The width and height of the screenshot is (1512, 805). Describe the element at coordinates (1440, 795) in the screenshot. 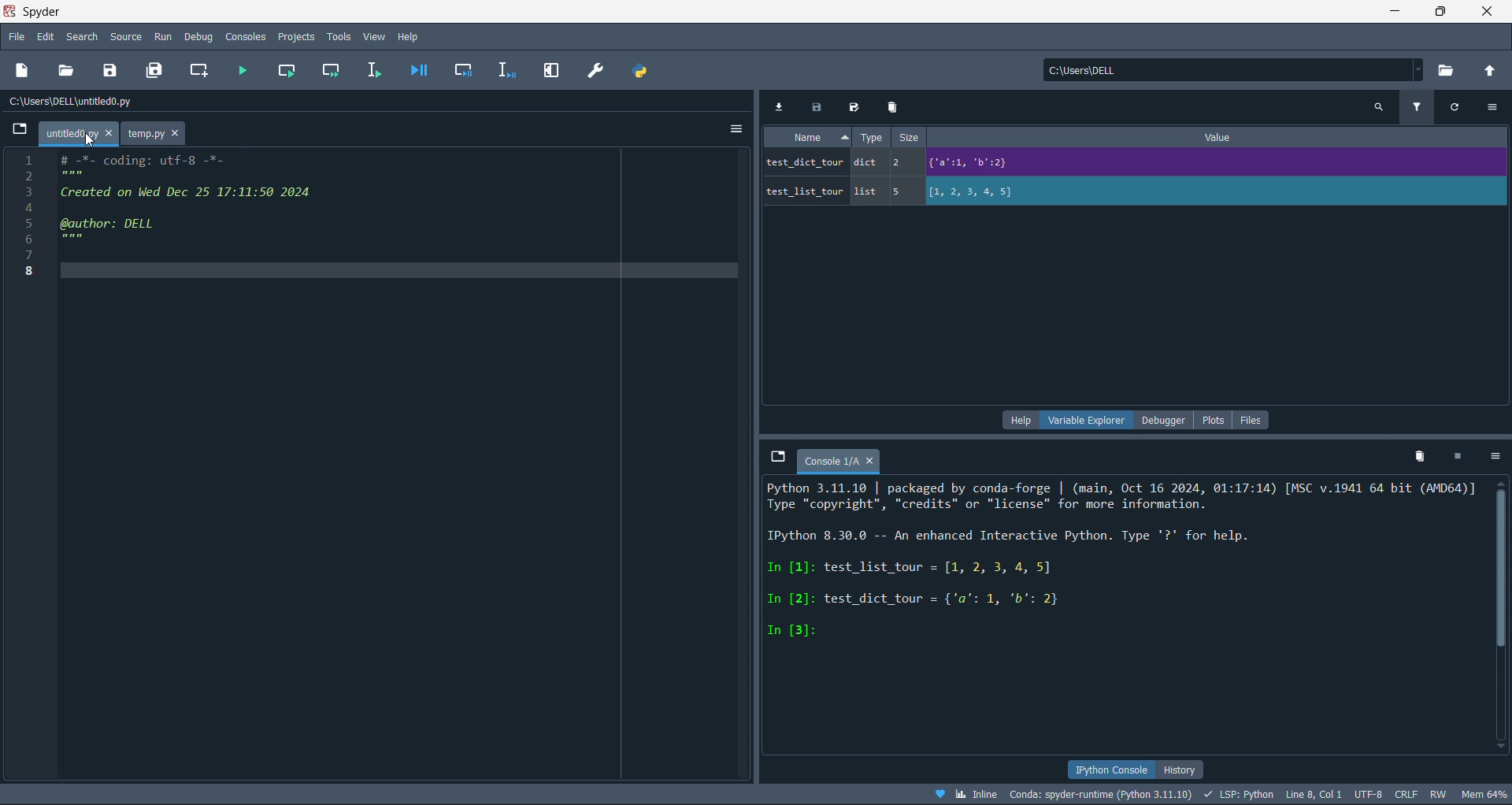

I see `RW` at that location.